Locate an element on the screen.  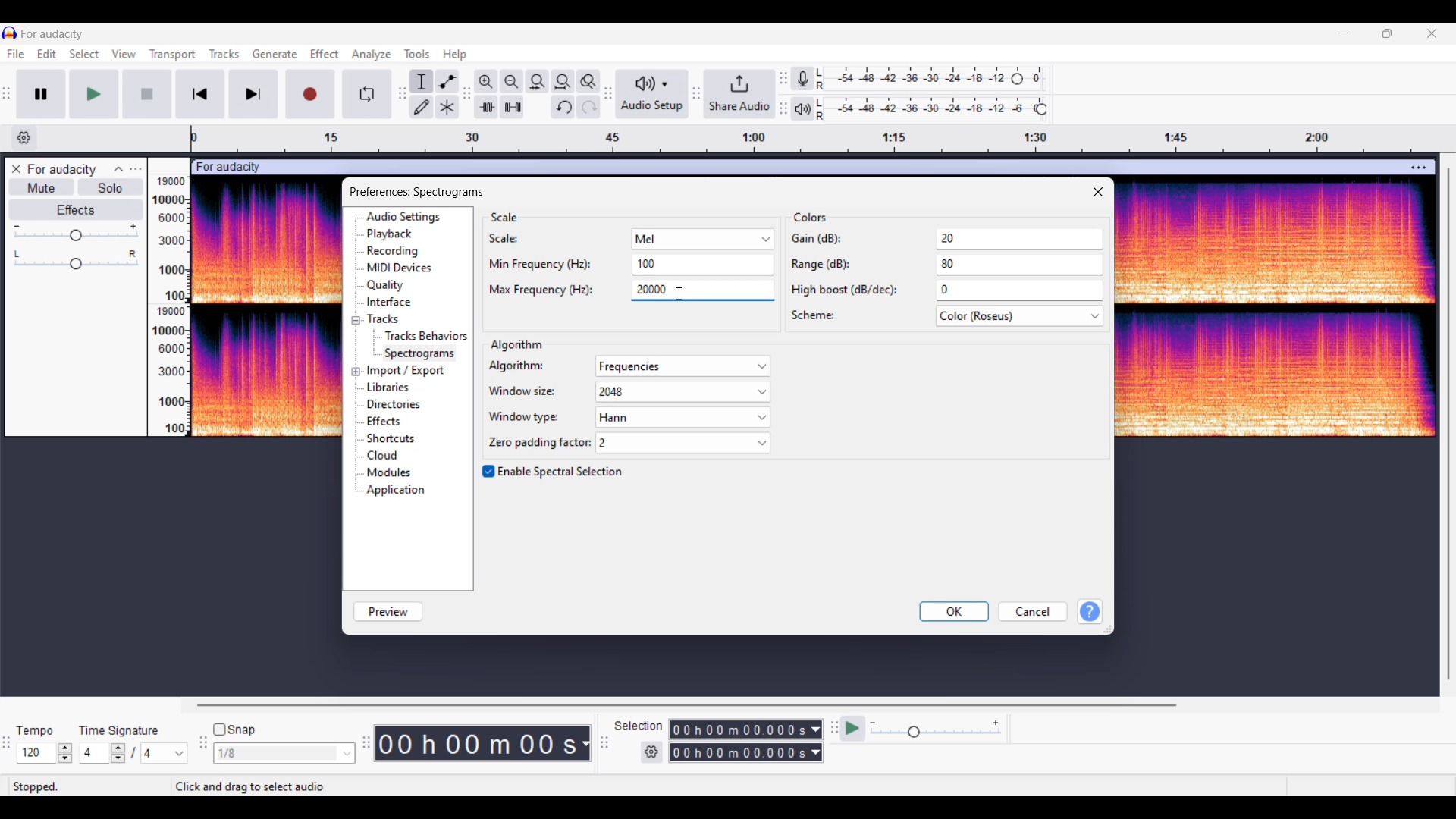
Zoom out is located at coordinates (513, 82).